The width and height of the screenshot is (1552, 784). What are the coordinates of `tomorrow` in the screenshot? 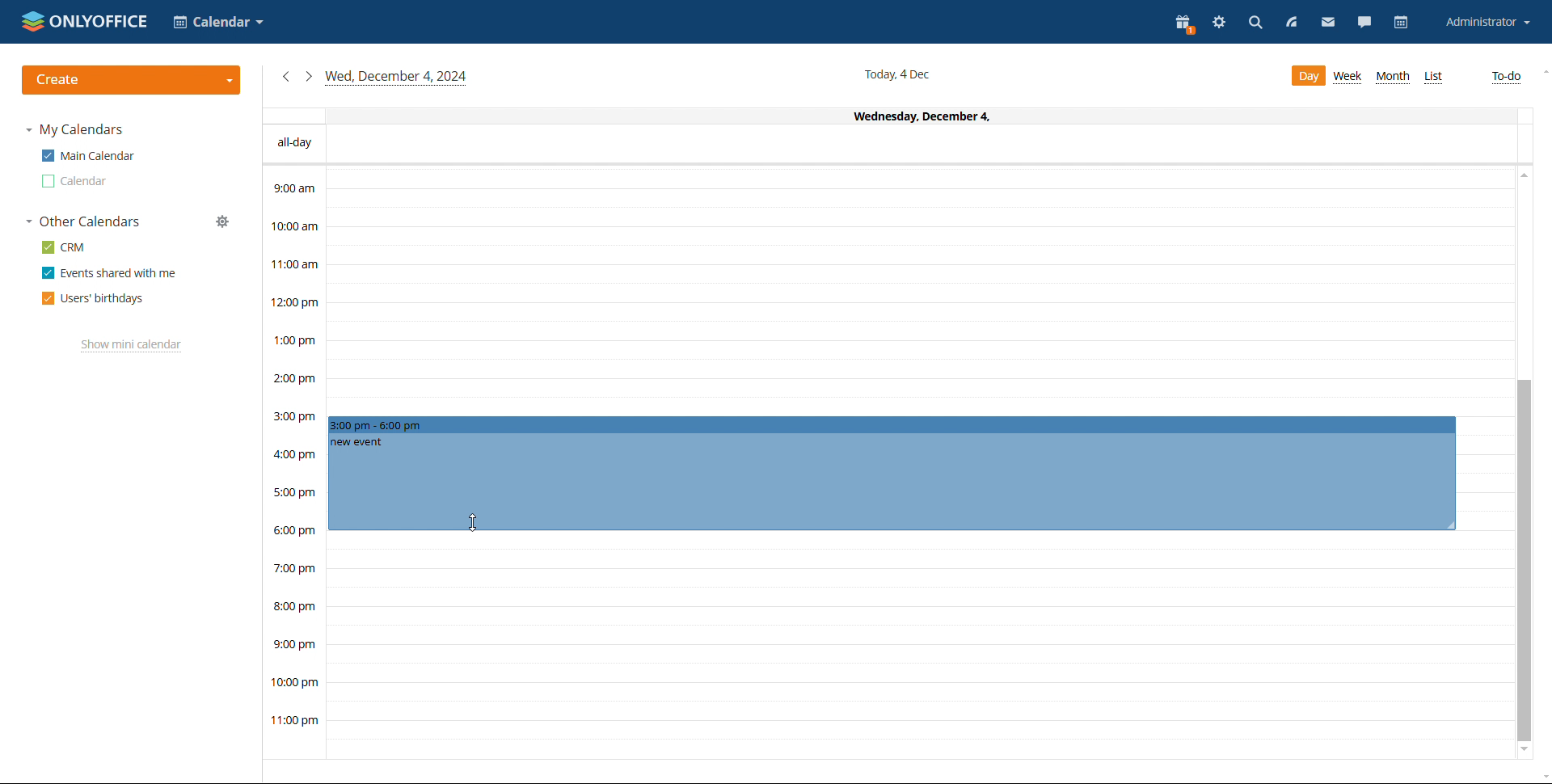 It's located at (308, 75).